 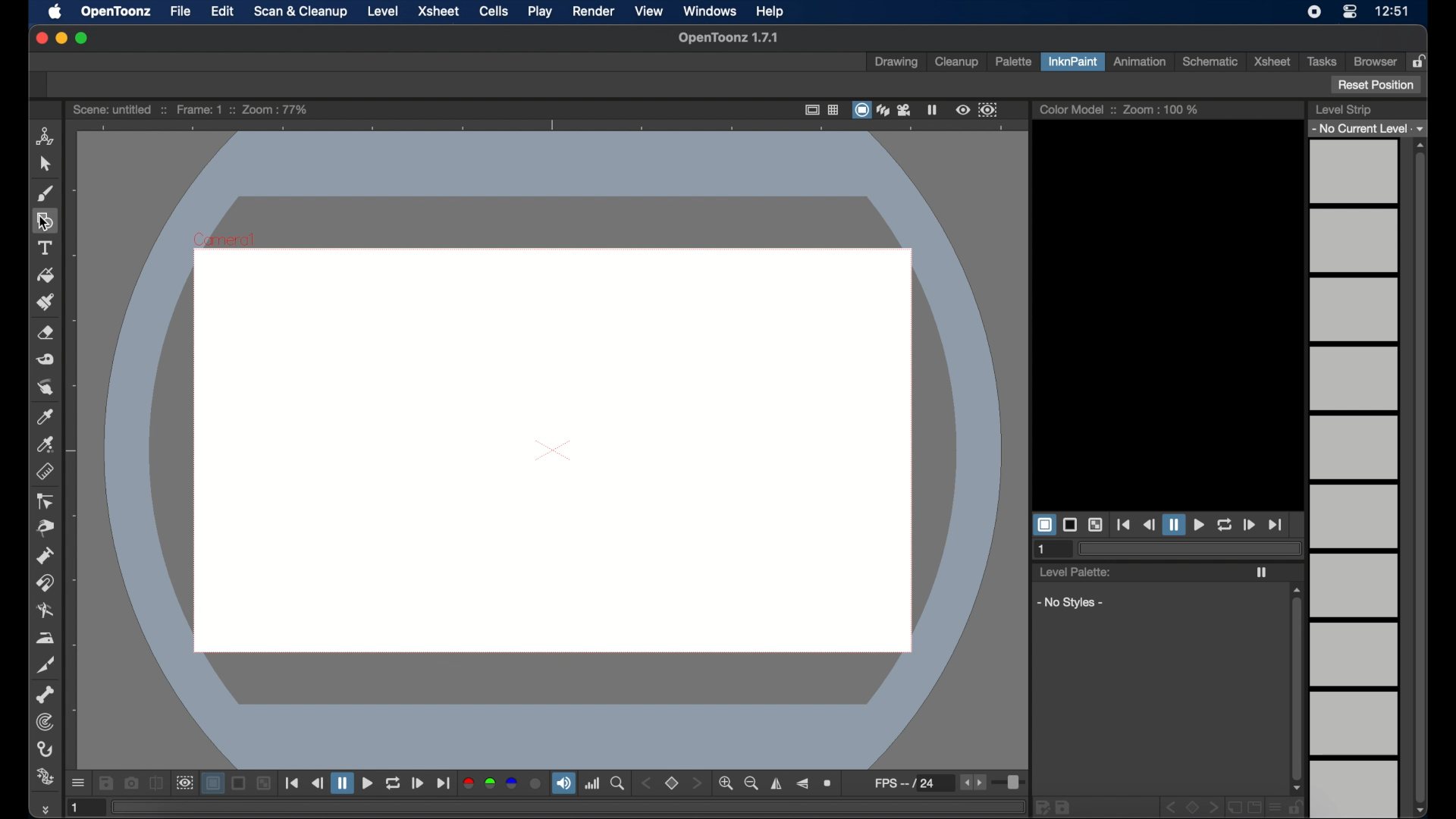 I want to click on schematic, so click(x=1210, y=62).